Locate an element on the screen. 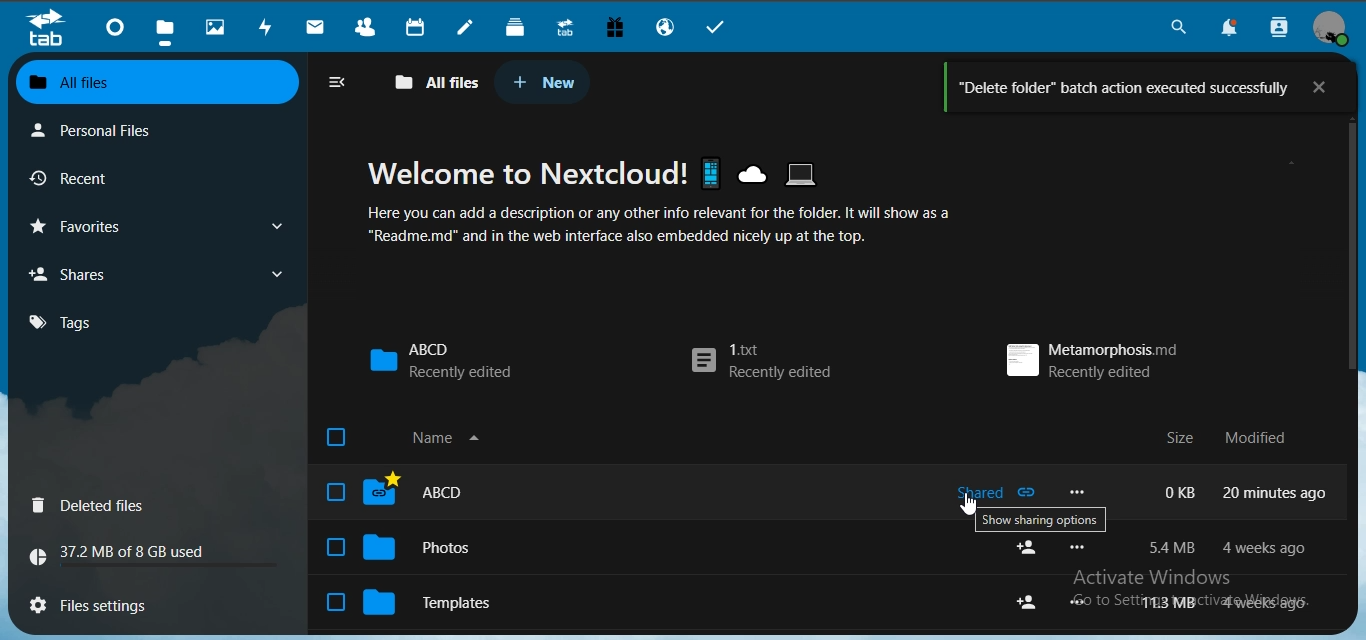 The image size is (1366, 640). notifications is located at coordinates (1231, 29).